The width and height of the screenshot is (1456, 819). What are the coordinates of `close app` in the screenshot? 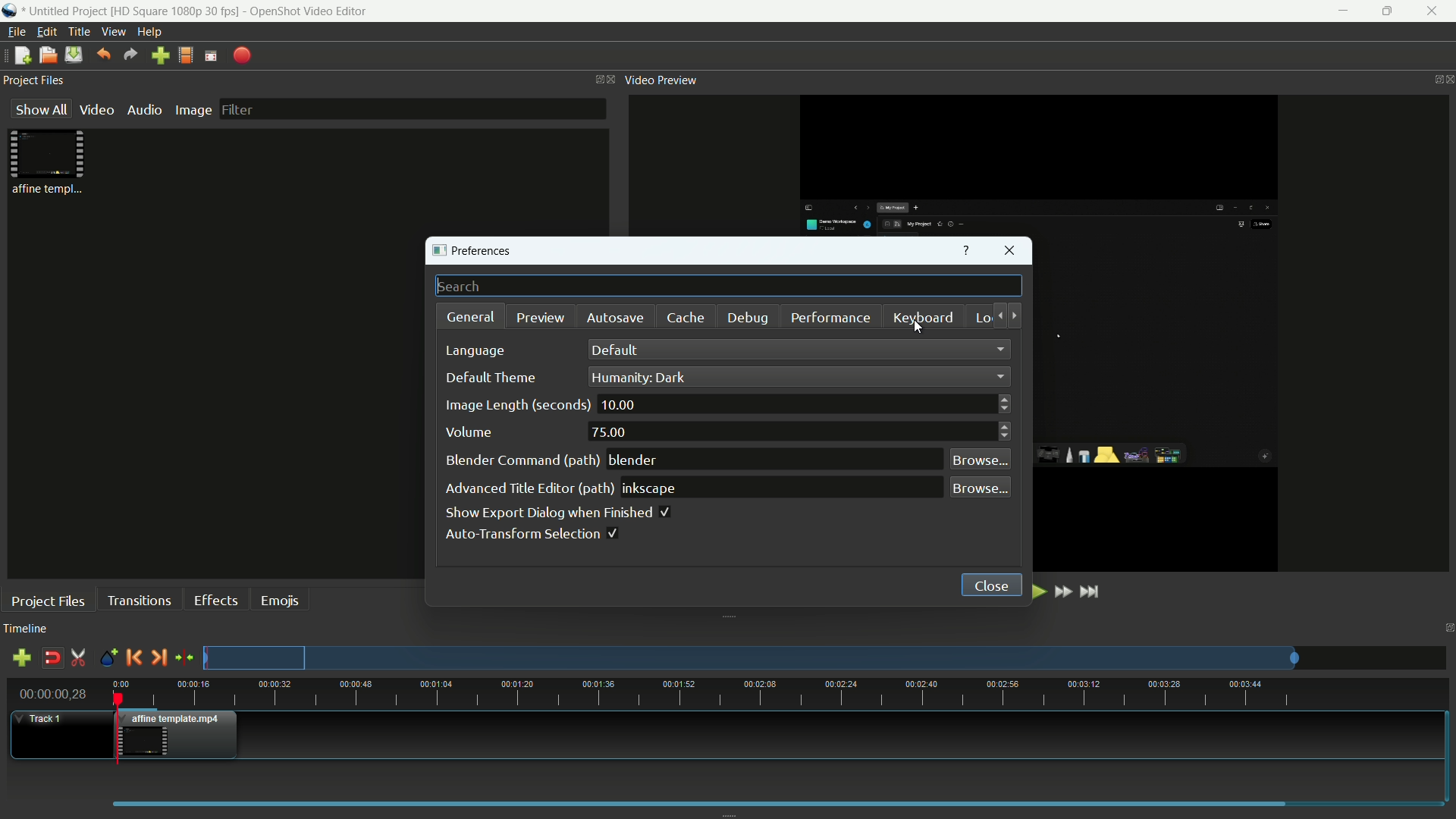 It's located at (1435, 11).